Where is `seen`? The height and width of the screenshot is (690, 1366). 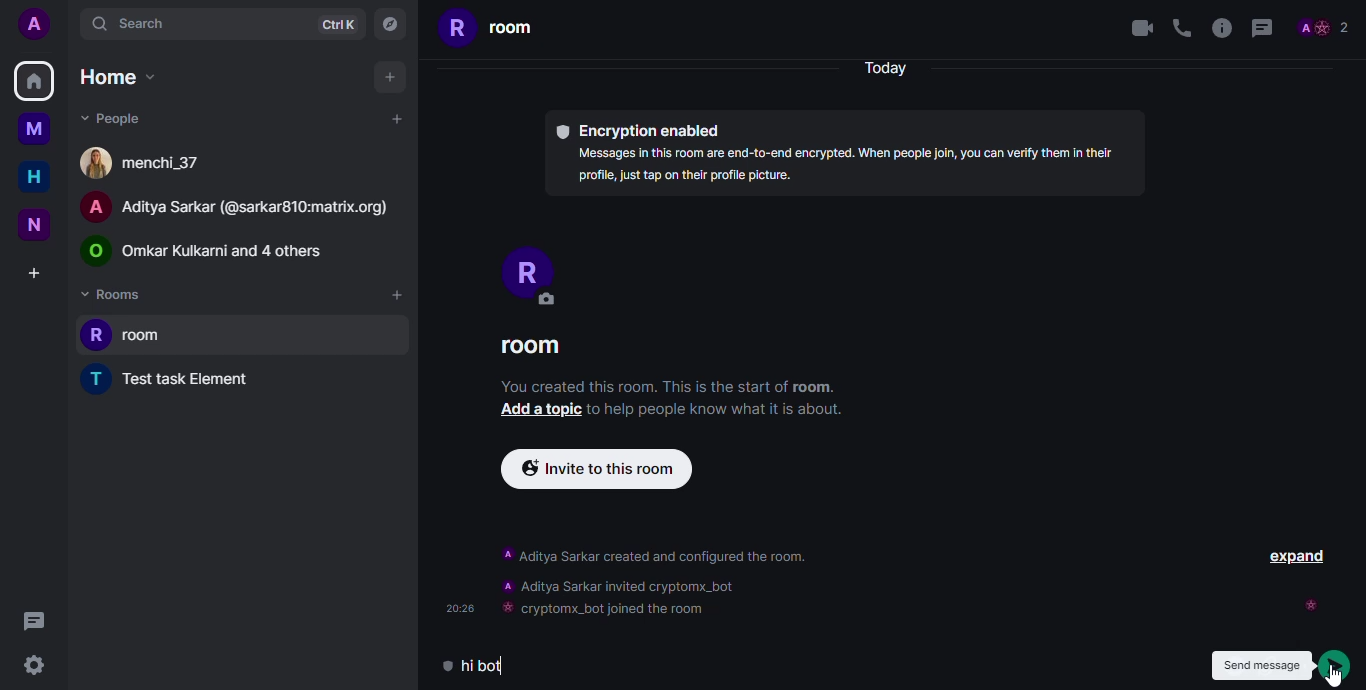 seen is located at coordinates (1311, 605).